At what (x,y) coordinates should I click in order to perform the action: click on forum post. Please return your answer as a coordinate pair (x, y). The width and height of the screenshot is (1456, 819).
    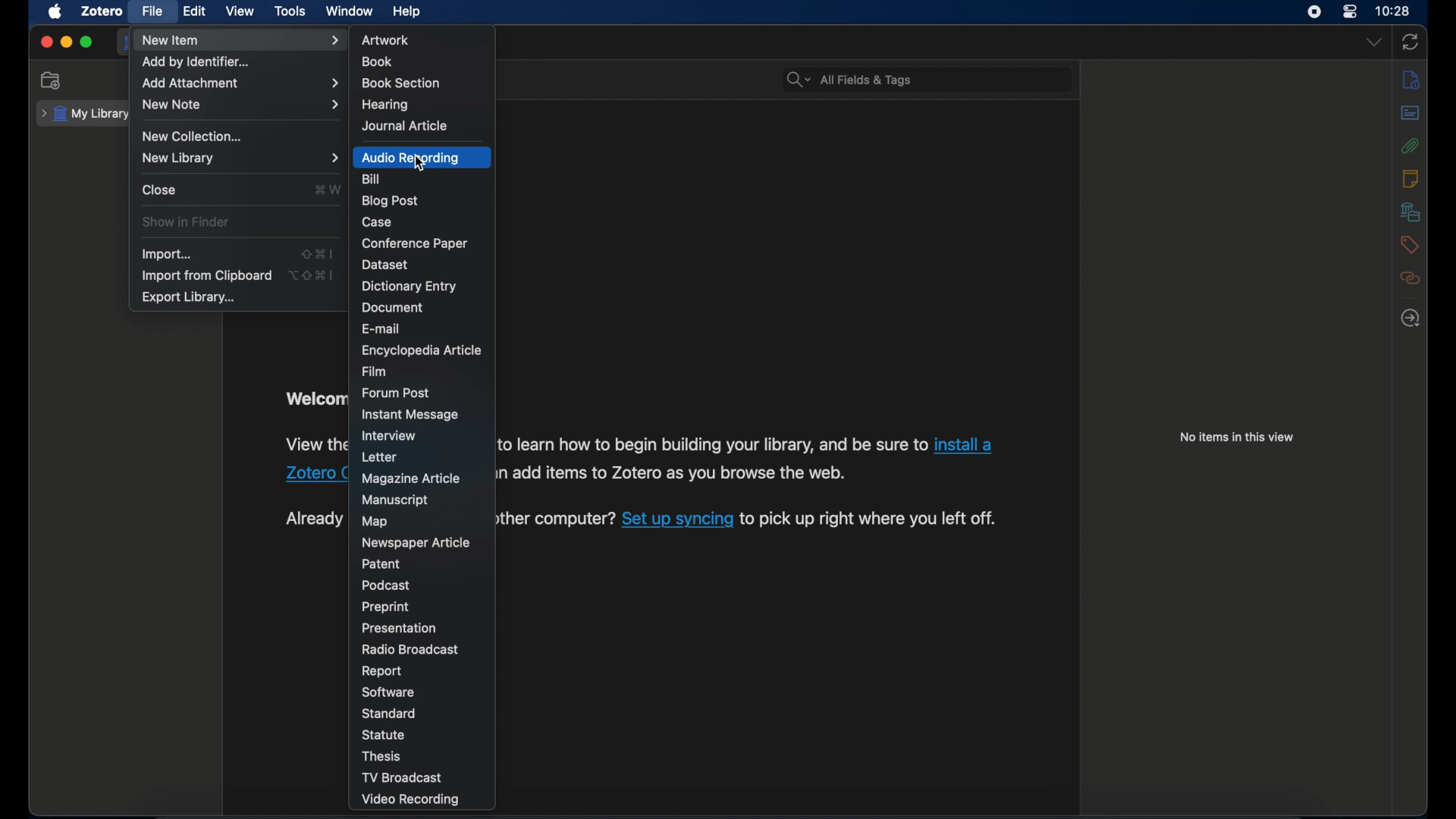
    Looking at the image, I should click on (397, 393).